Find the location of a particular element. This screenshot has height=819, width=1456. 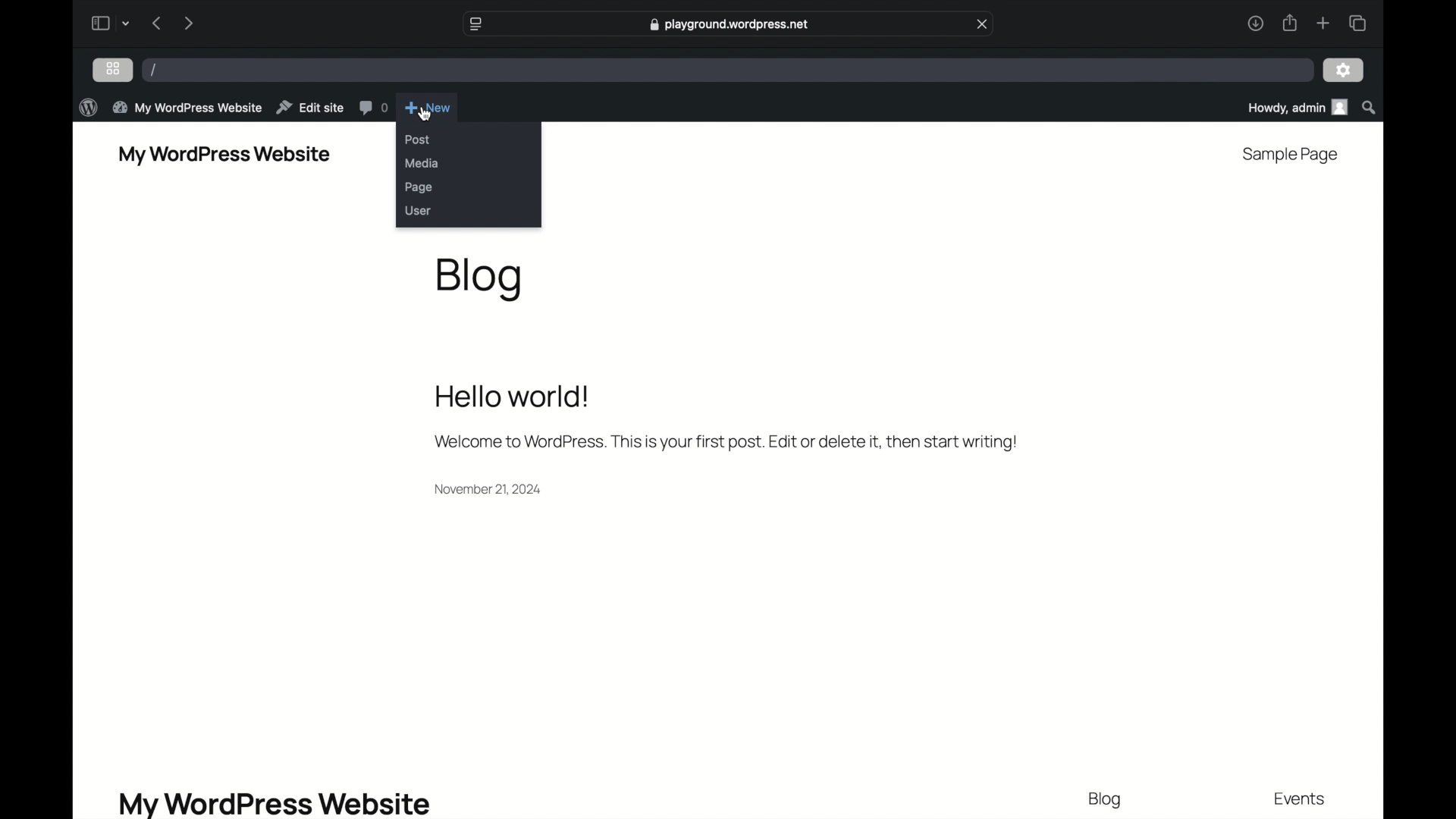

previous page is located at coordinates (156, 23).